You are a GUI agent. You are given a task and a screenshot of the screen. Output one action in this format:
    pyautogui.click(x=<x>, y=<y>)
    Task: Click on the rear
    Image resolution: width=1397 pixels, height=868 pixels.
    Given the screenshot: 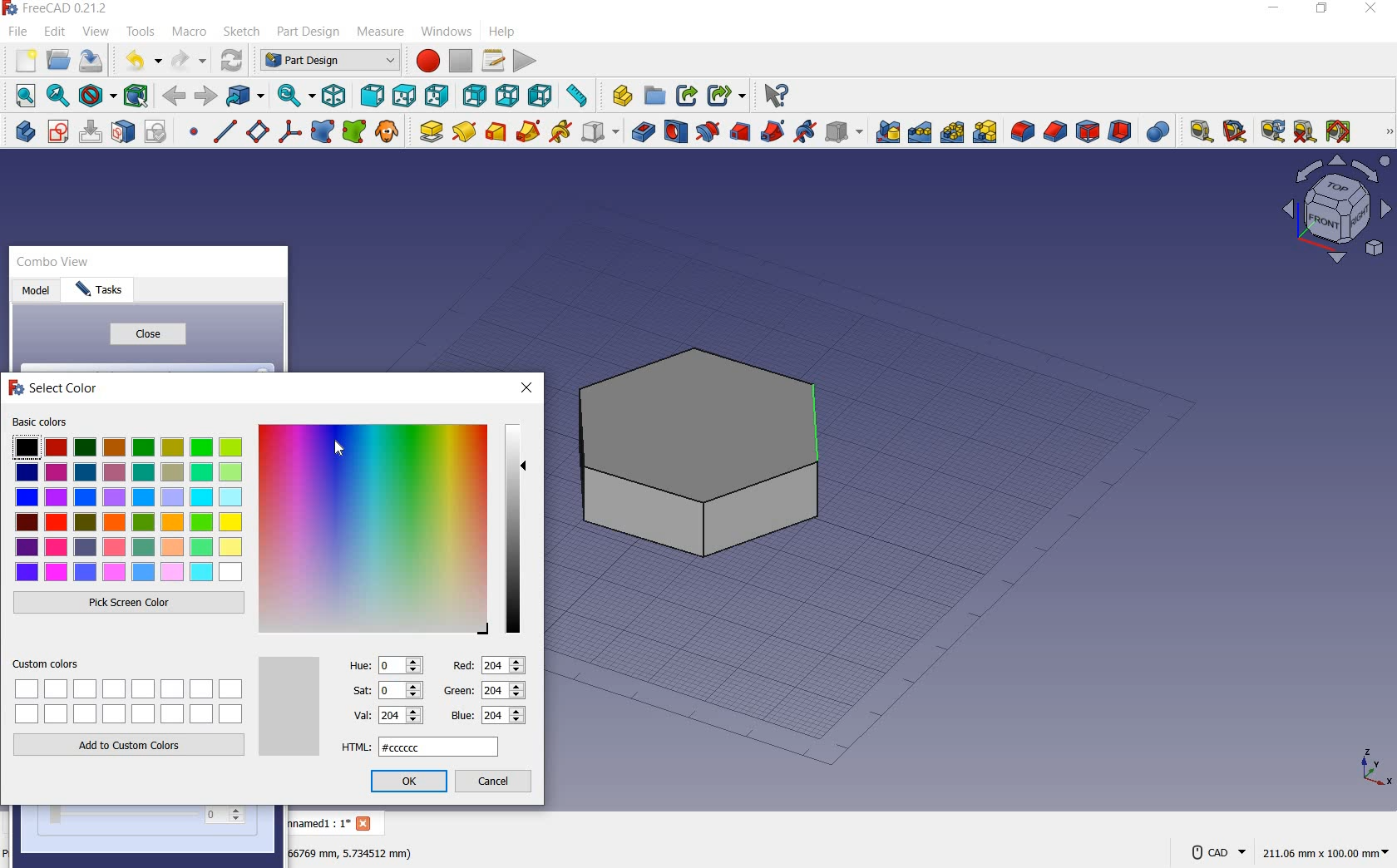 What is the action you would take?
    pyautogui.click(x=475, y=96)
    